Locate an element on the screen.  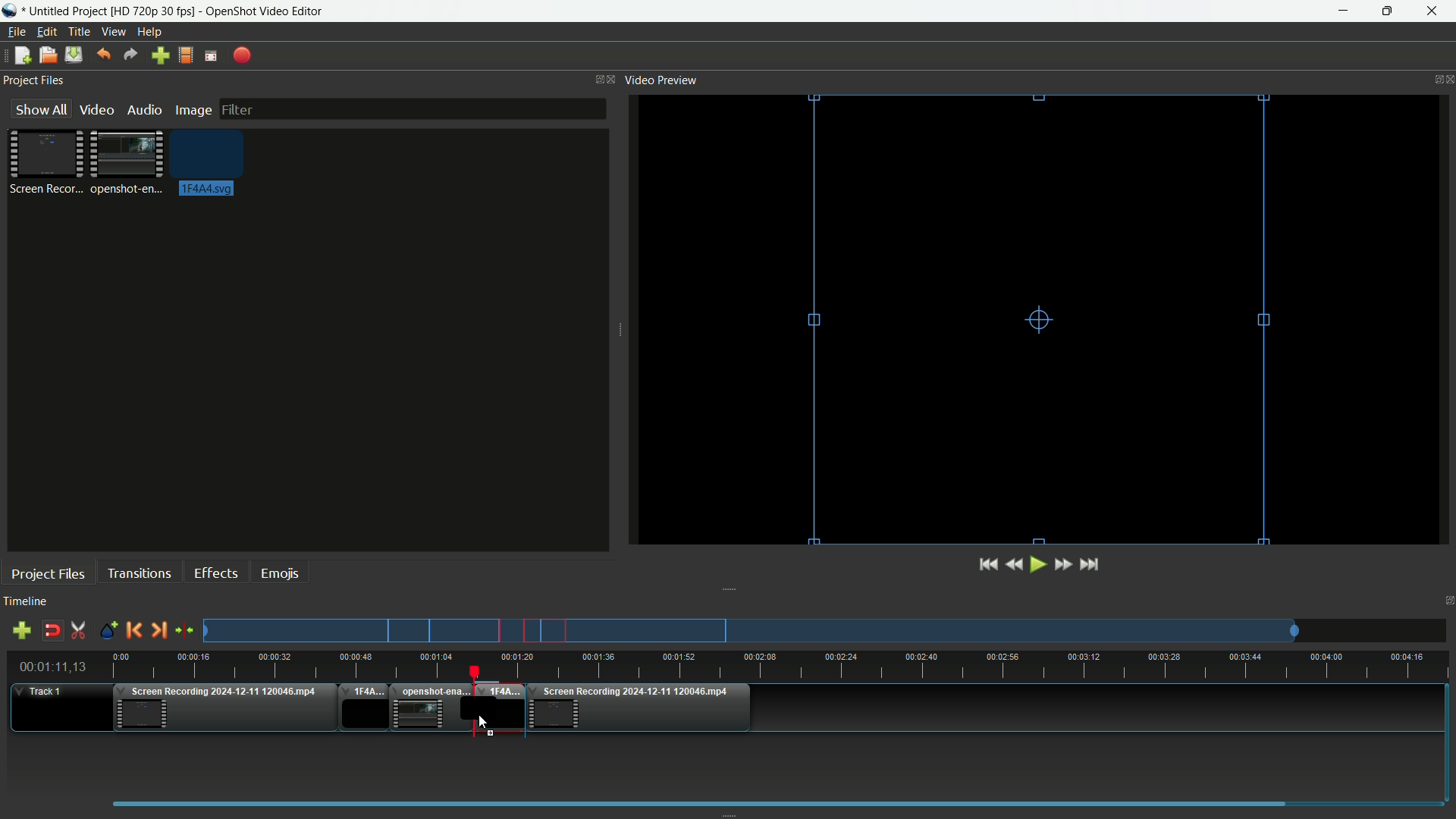
Full screen is located at coordinates (211, 56).